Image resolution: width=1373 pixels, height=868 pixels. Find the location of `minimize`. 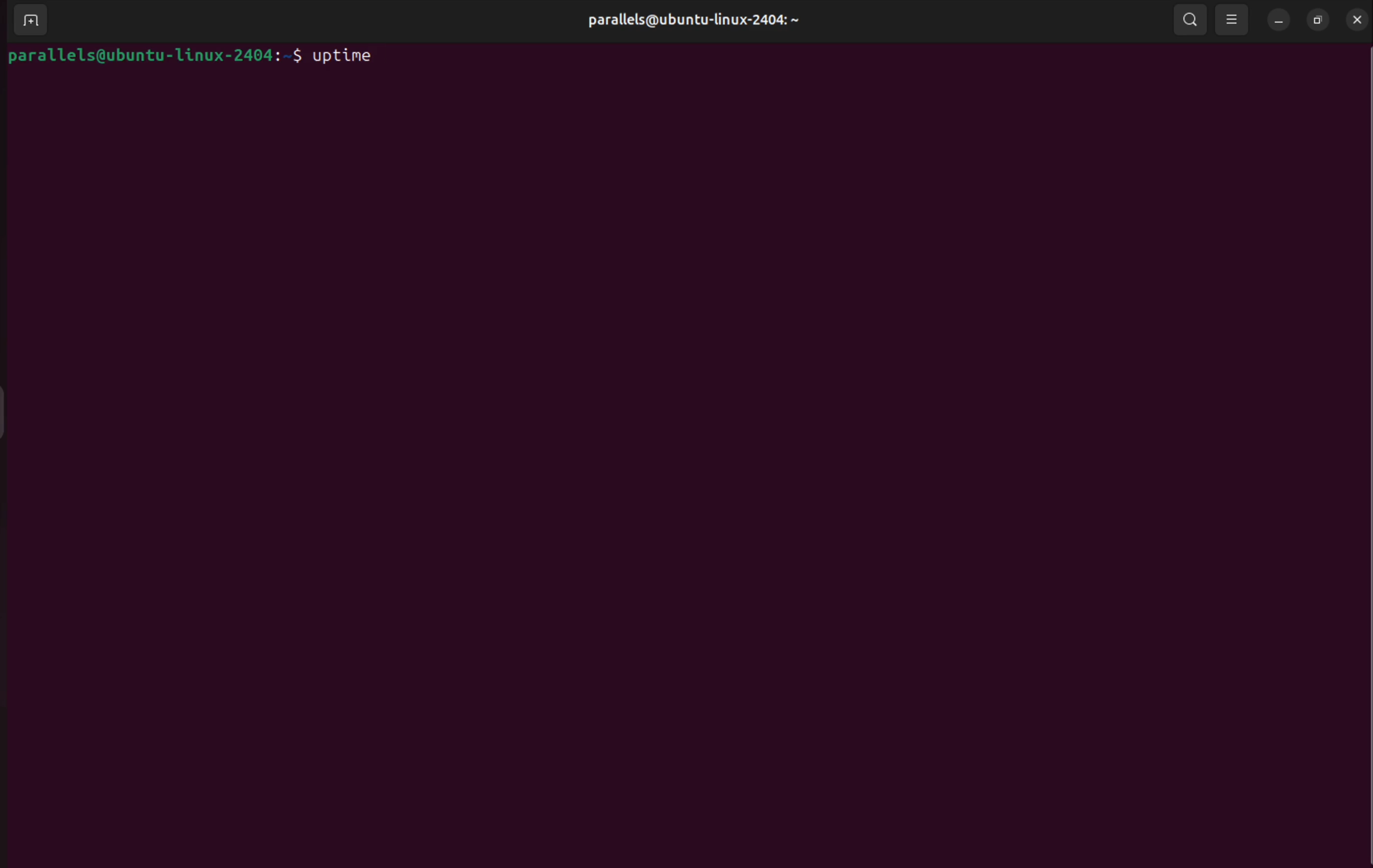

minimize is located at coordinates (1274, 21).